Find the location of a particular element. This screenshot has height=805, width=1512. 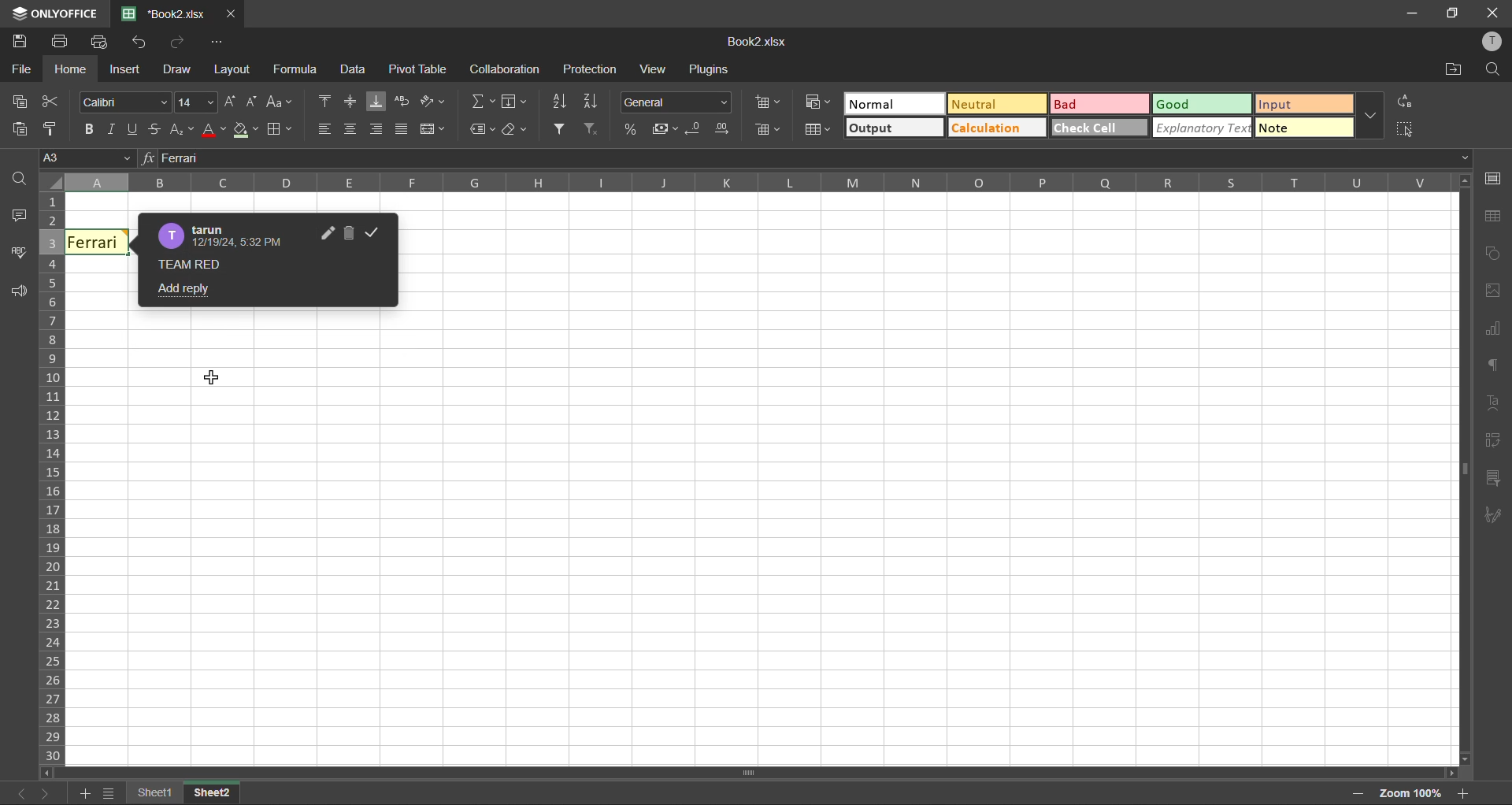

summation is located at coordinates (481, 101).